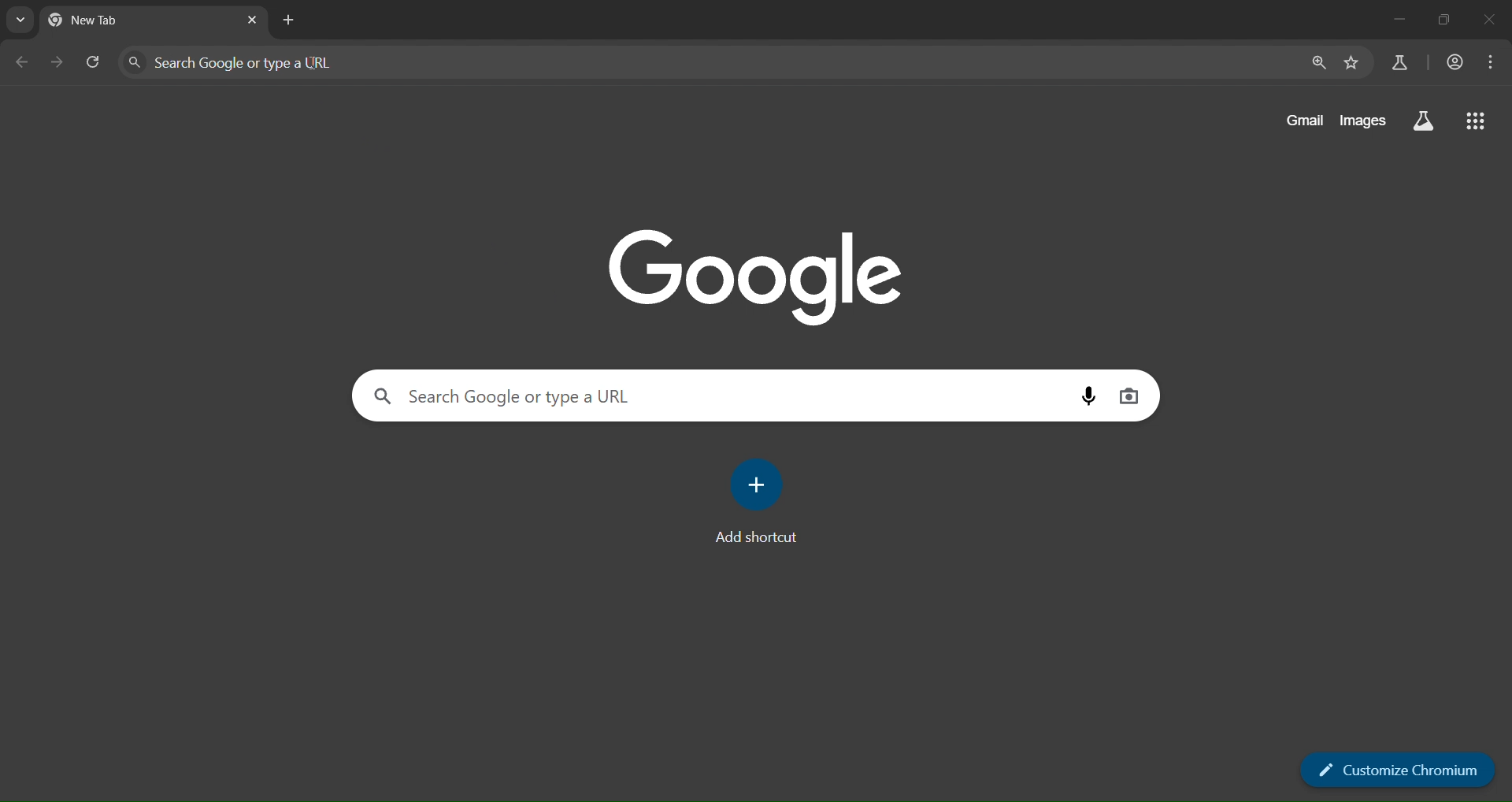 This screenshot has height=802, width=1512. Describe the element at coordinates (317, 69) in the screenshot. I see `cursor` at that location.